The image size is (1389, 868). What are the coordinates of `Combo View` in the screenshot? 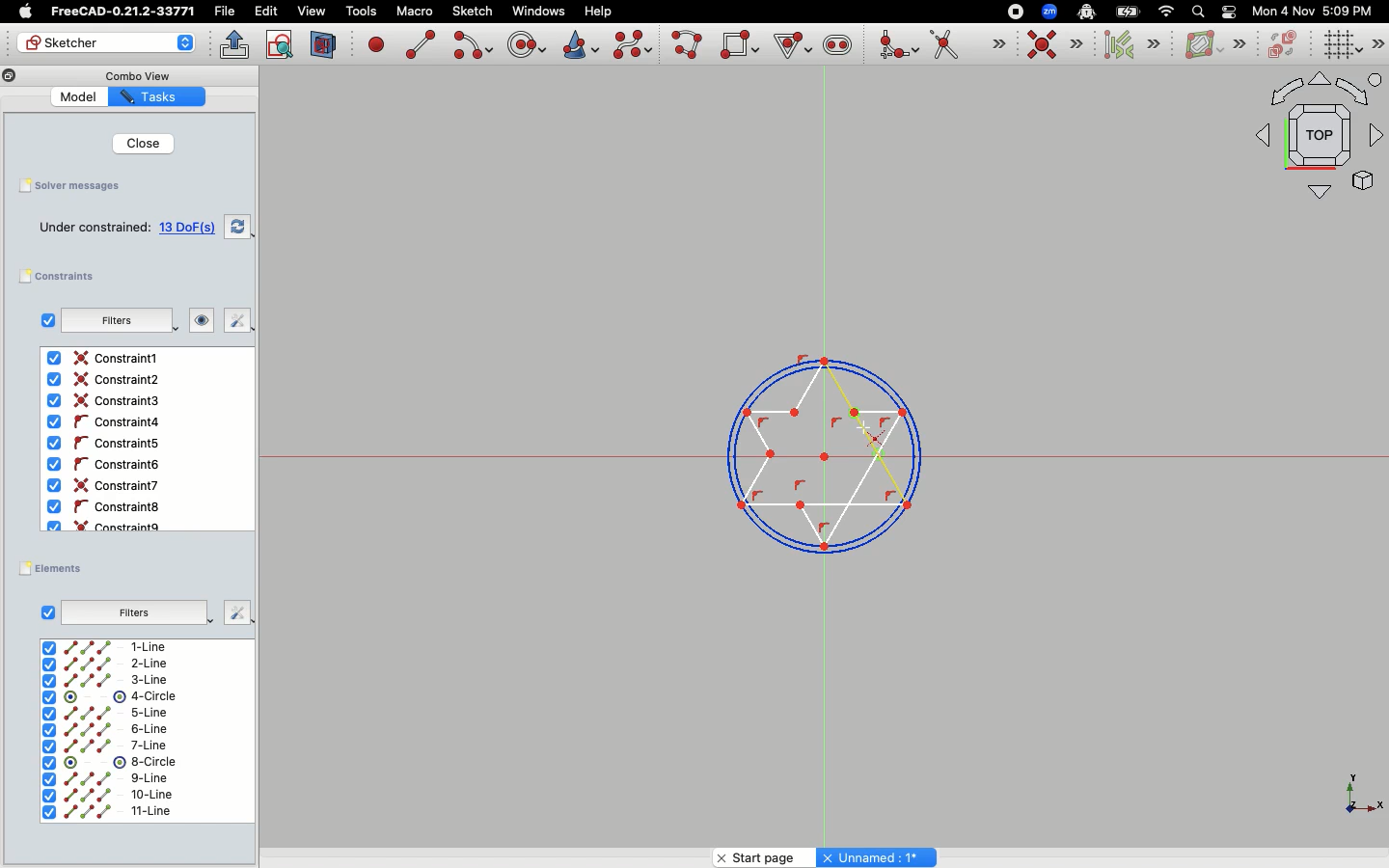 It's located at (134, 75).